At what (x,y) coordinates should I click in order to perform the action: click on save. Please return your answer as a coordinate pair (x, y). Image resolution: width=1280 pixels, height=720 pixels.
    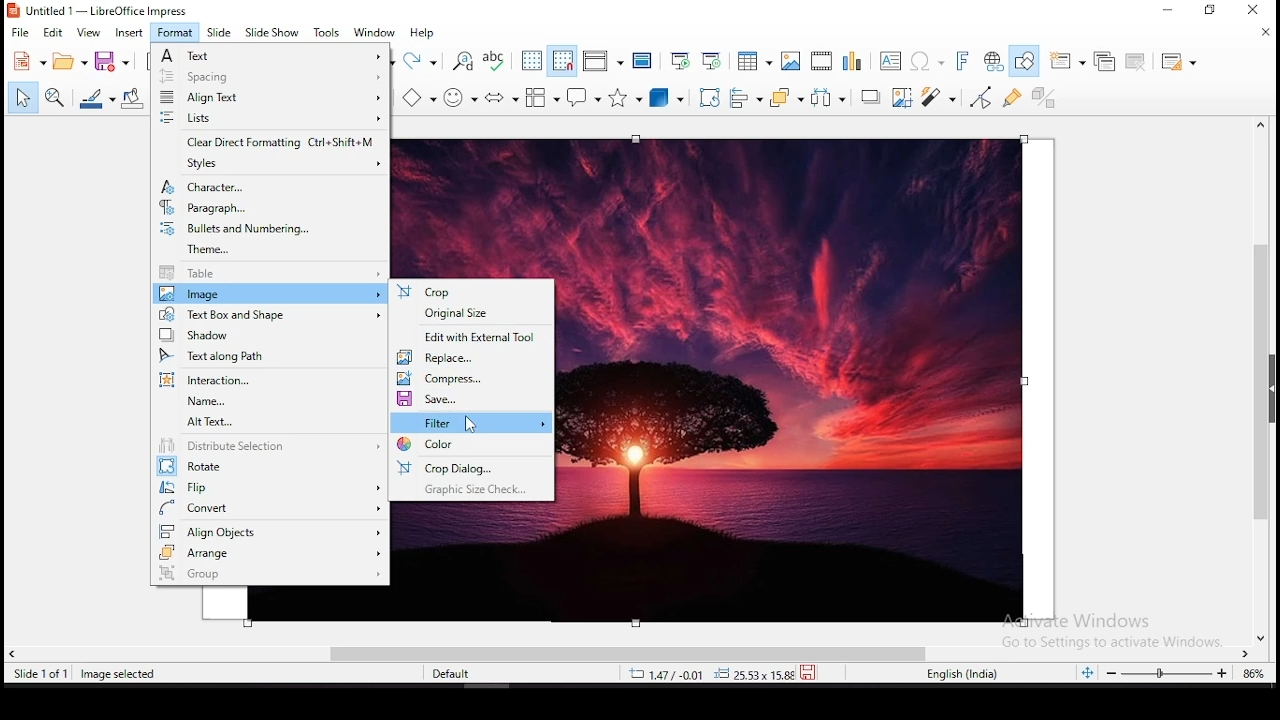
    Looking at the image, I should click on (473, 399).